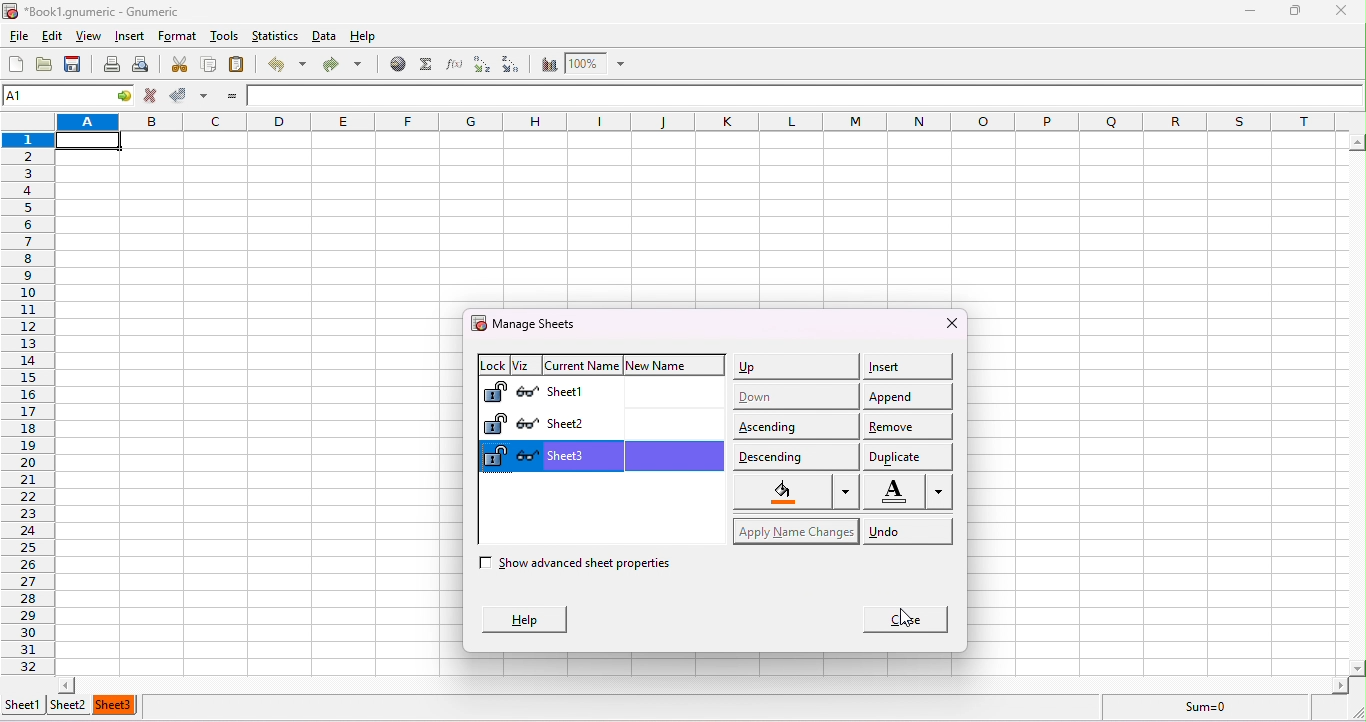 The width and height of the screenshot is (1366, 722). What do you see at coordinates (277, 36) in the screenshot?
I see `statistics` at bounding box center [277, 36].